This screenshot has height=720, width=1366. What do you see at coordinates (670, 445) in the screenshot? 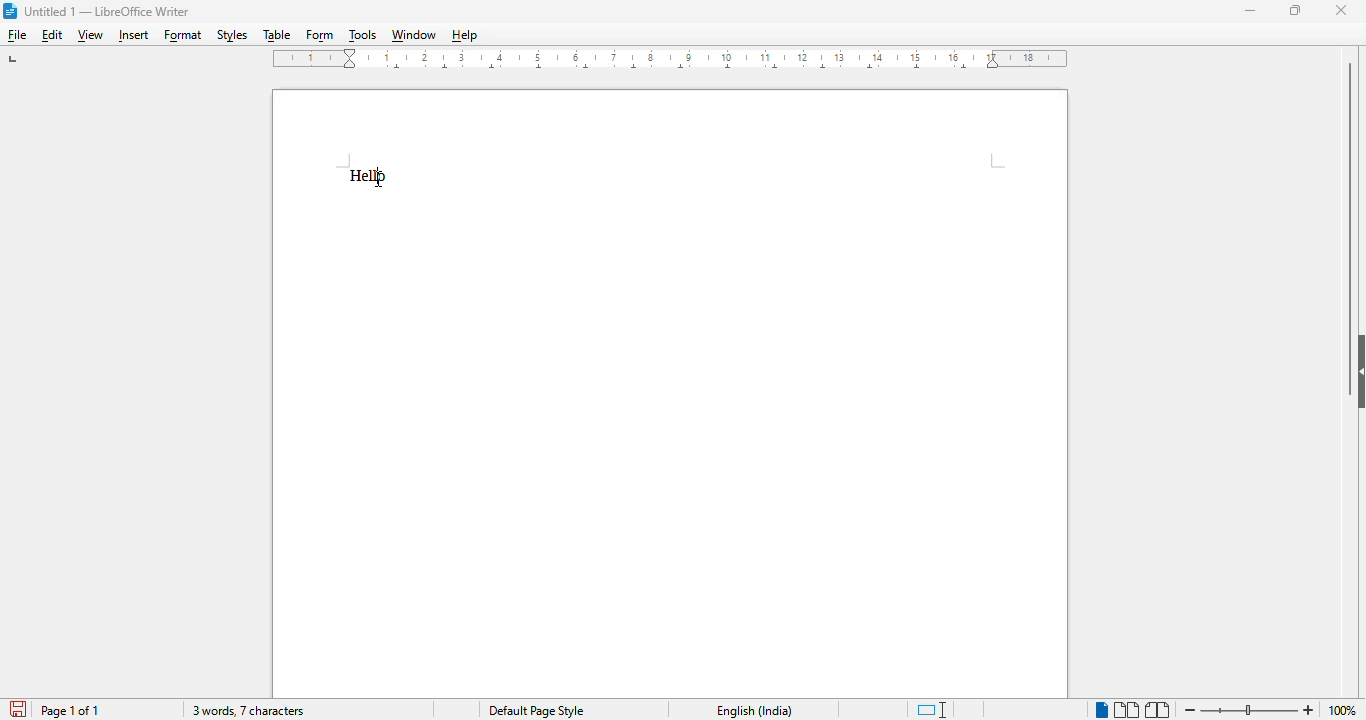
I see `workspace` at bounding box center [670, 445].